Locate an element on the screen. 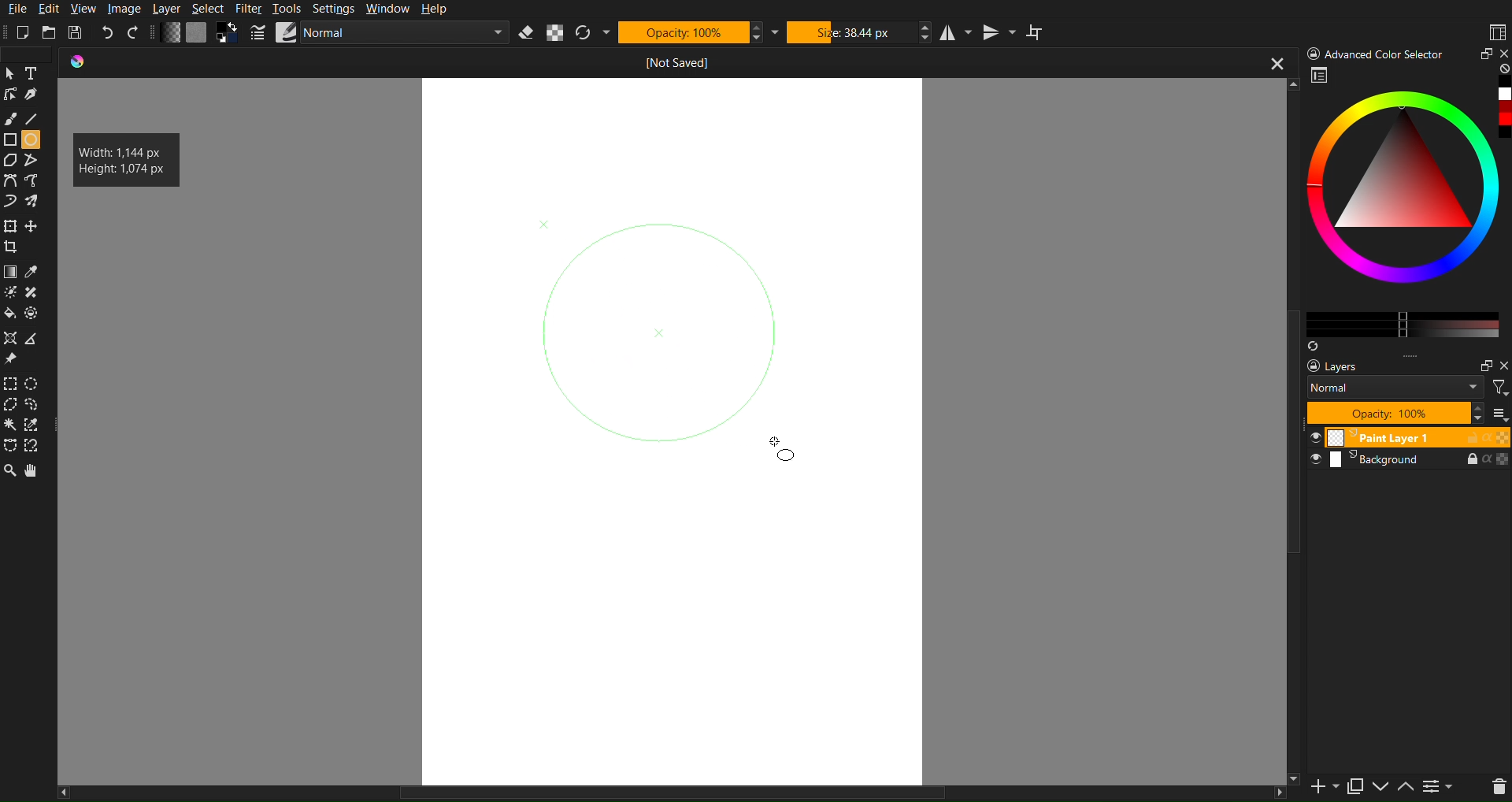 The width and height of the screenshot is (1512, 802). Layer is located at coordinates (166, 8).